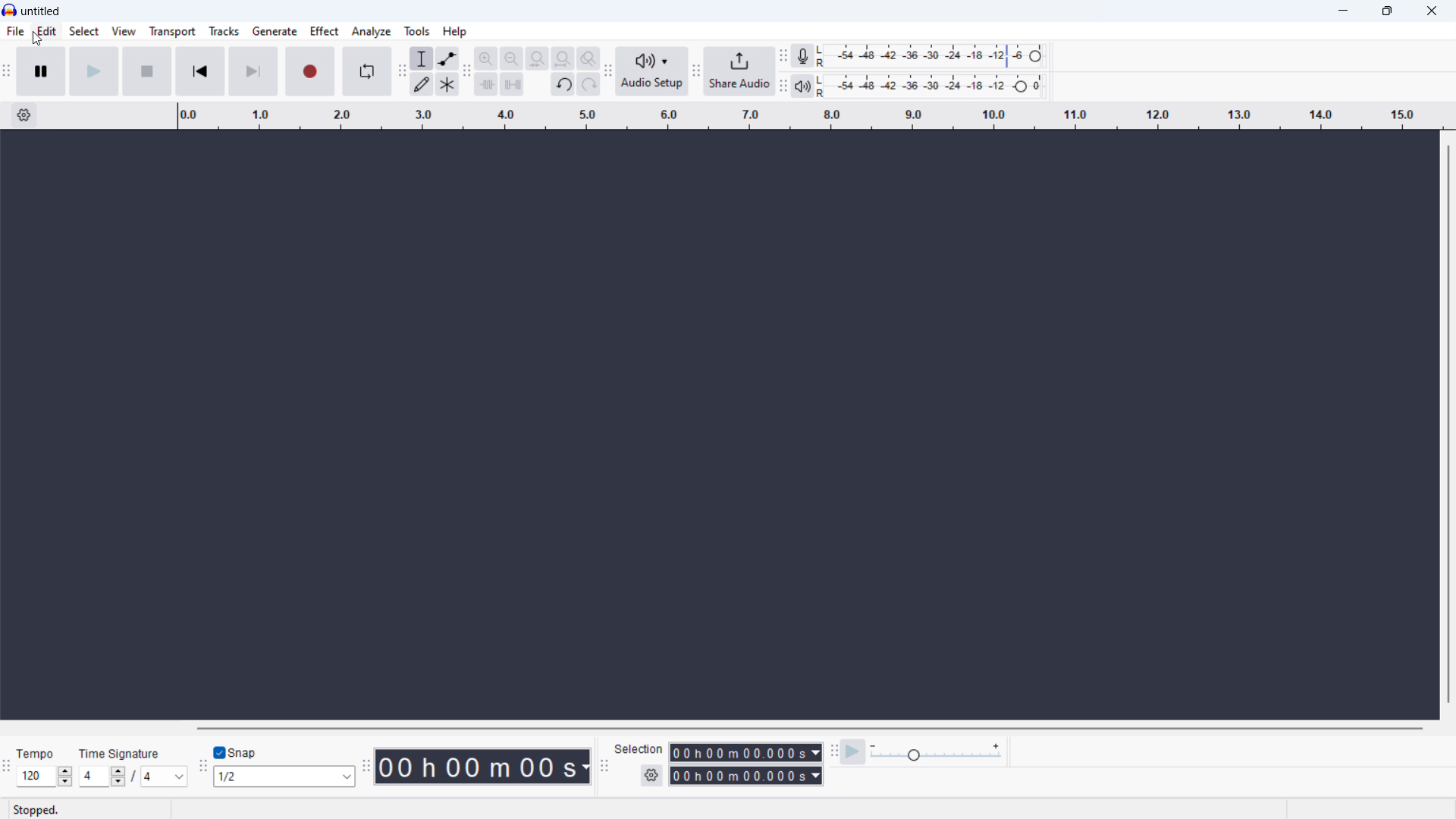 This screenshot has width=1456, height=819. What do you see at coordinates (935, 86) in the screenshot?
I see `playback level` at bounding box center [935, 86].